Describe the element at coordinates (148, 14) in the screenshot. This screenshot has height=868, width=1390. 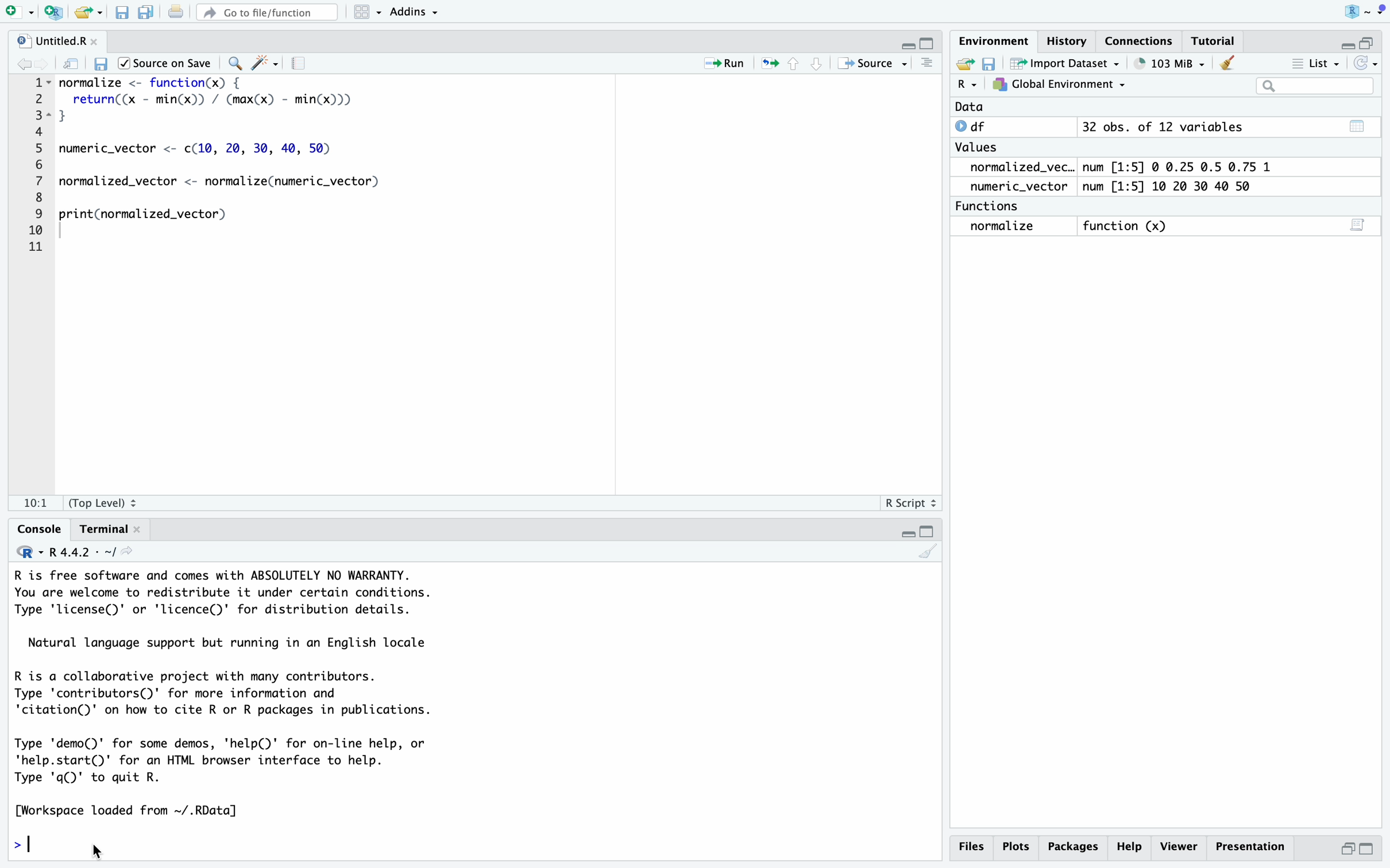
I see `Save all open documents (Ctrl + Alt + S)` at that location.